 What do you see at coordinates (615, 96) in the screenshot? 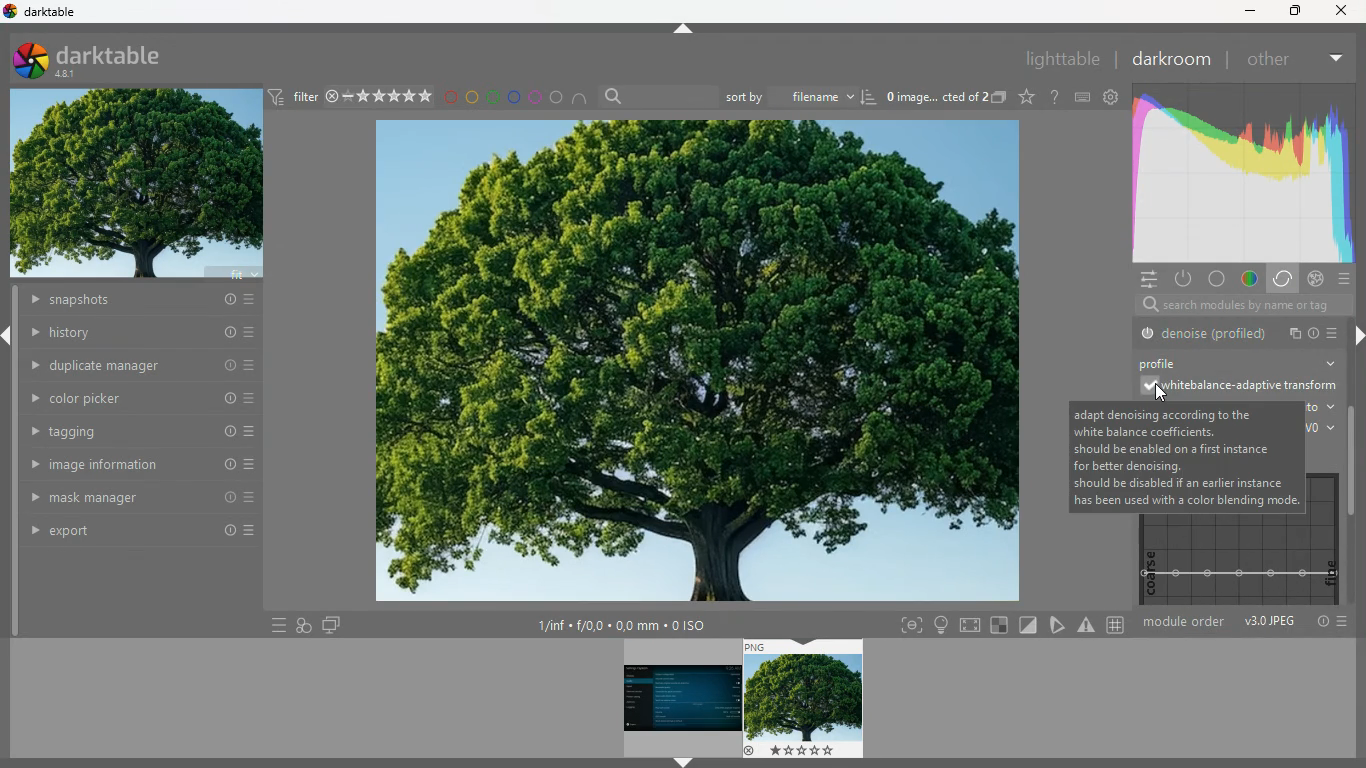
I see `search` at bounding box center [615, 96].